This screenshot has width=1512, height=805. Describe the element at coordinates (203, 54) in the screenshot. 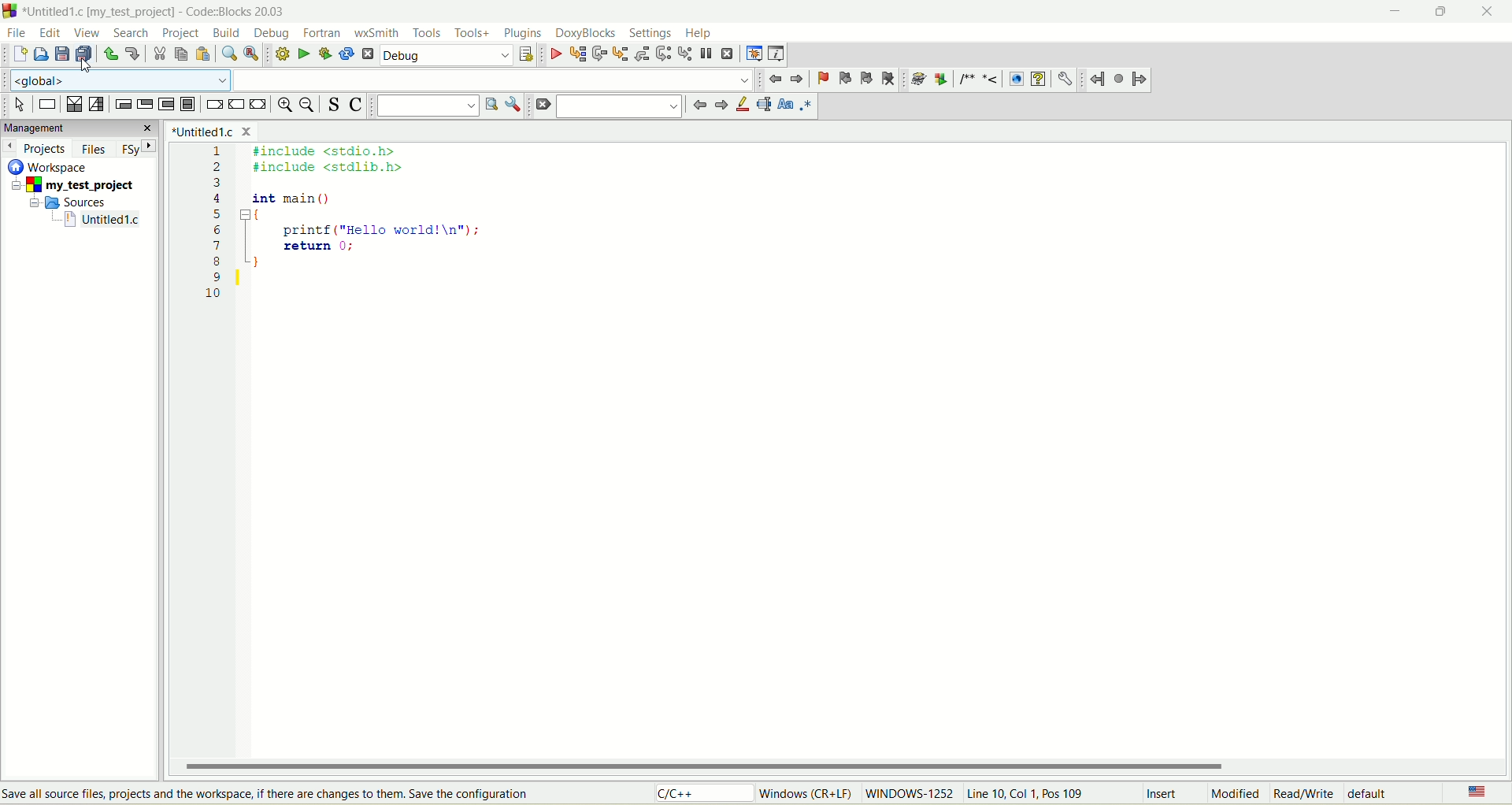

I see `paste` at that location.